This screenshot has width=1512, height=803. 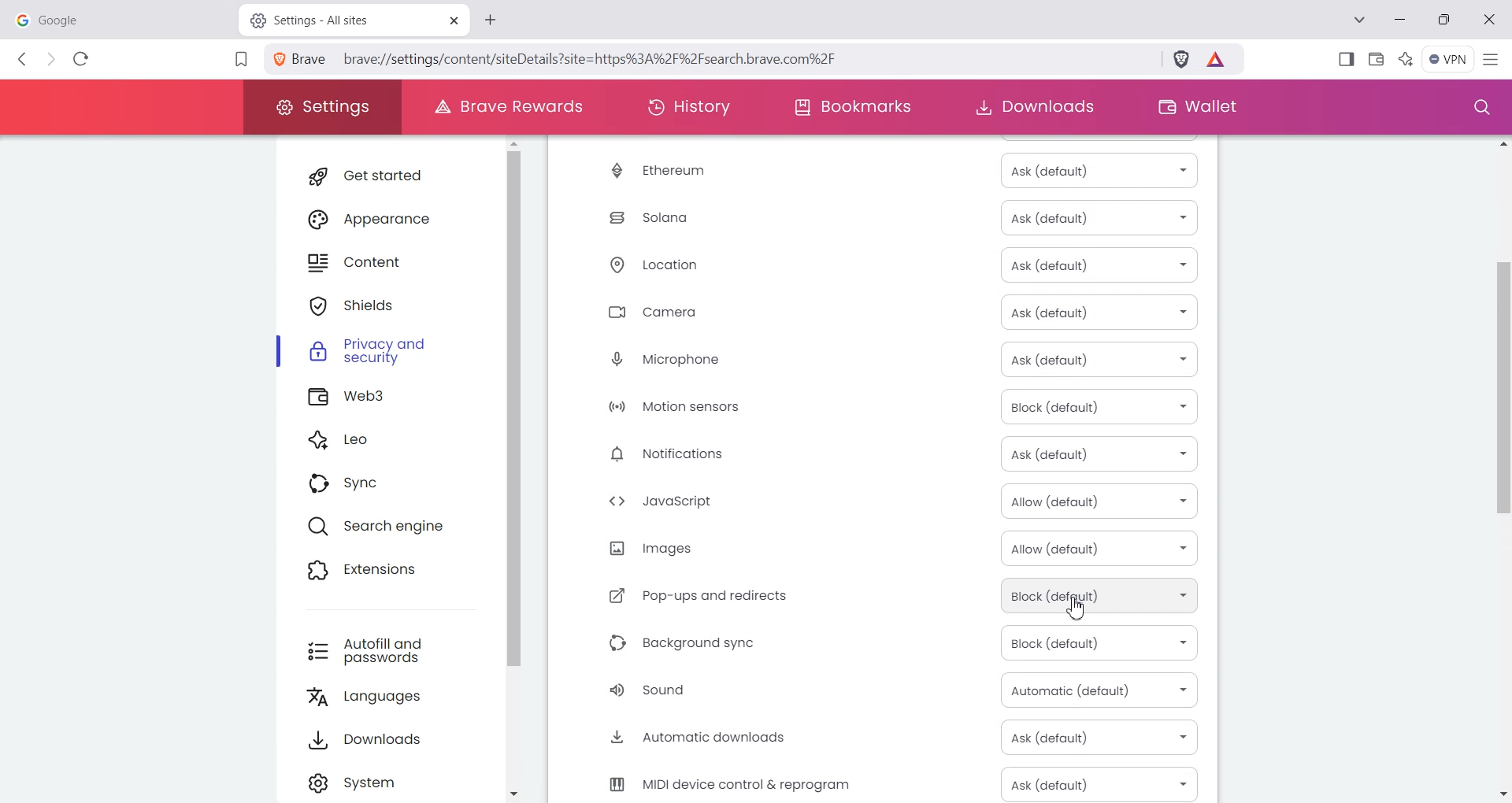 I want to click on Back, so click(x=24, y=59).